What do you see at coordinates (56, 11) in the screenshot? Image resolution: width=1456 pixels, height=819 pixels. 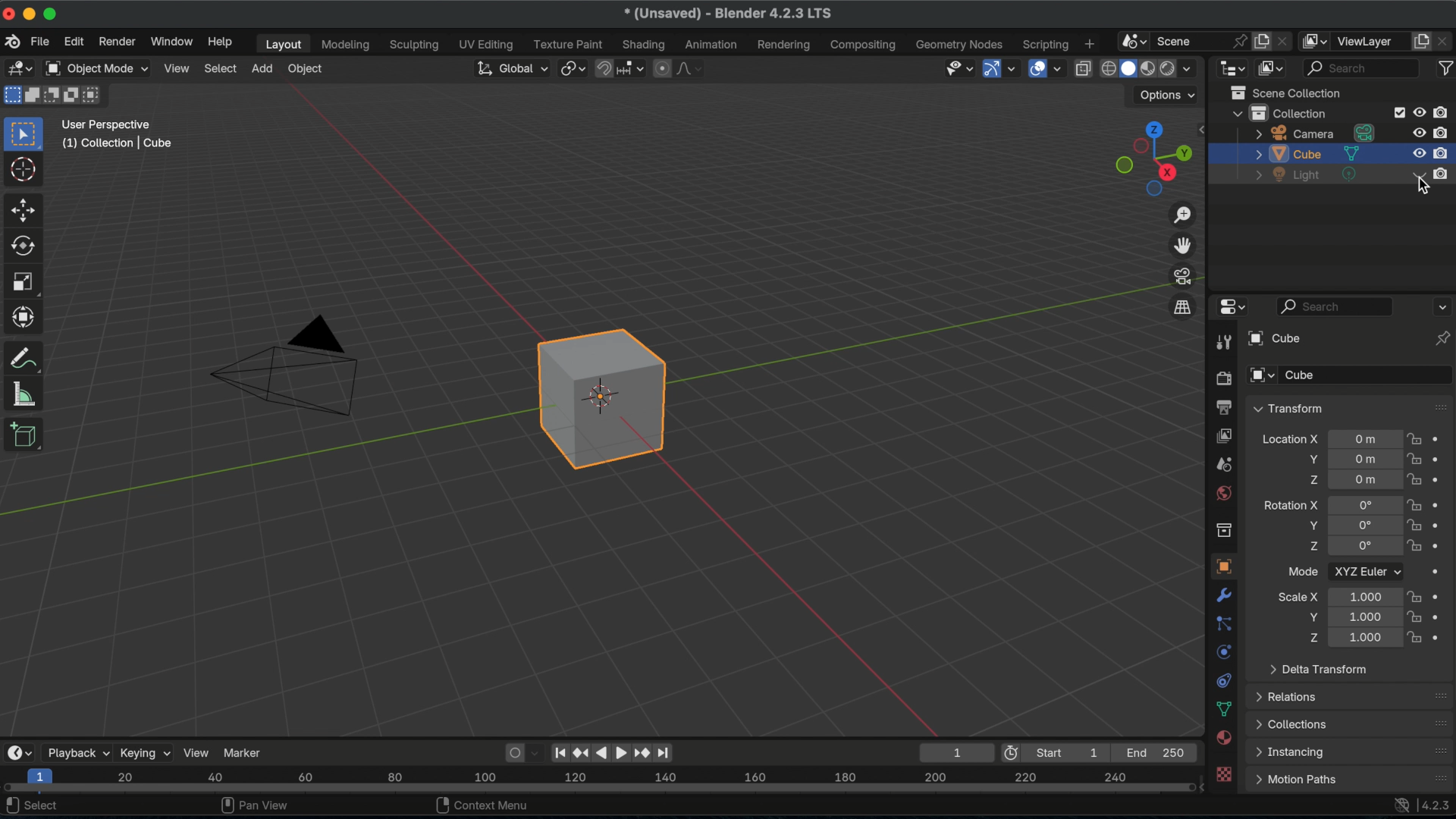 I see `disabled maximize icon` at bounding box center [56, 11].